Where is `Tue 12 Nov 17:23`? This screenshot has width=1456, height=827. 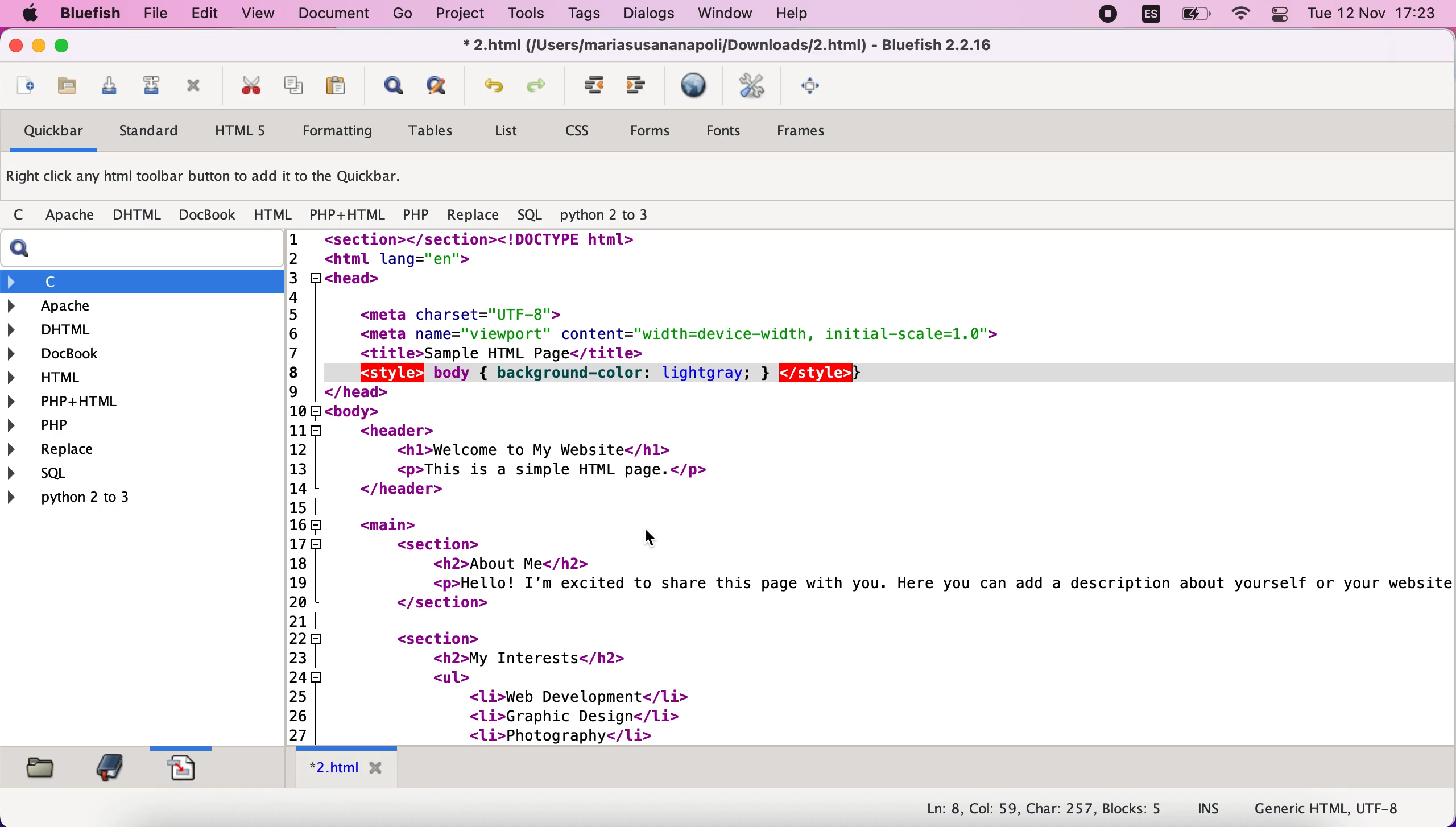
Tue 12 Nov 17:23 is located at coordinates (1372, 14).